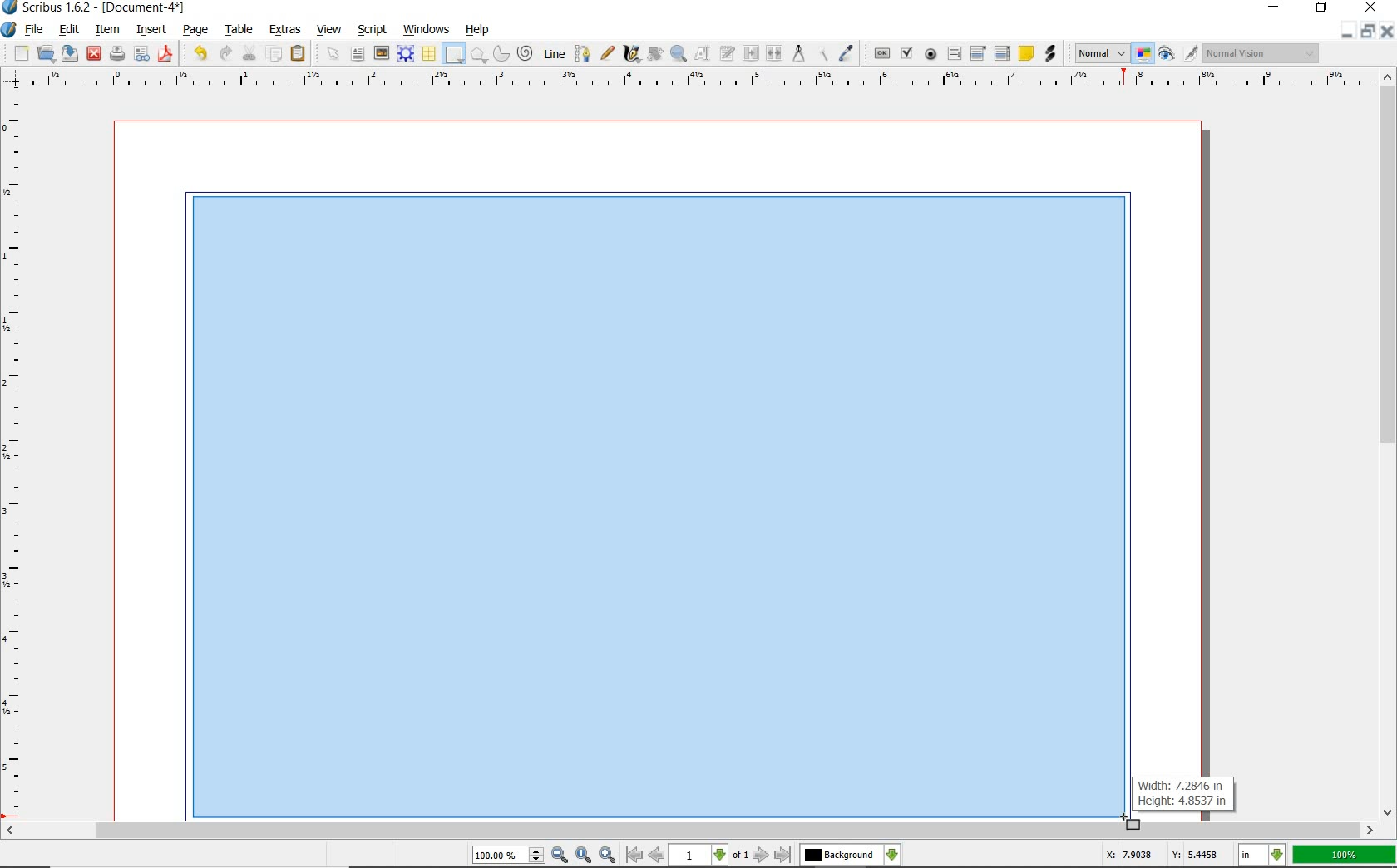  What do you see at coordinates (584, 52) in the screenshot?
I see `Bezier curve` at bounding box center [584, 52].